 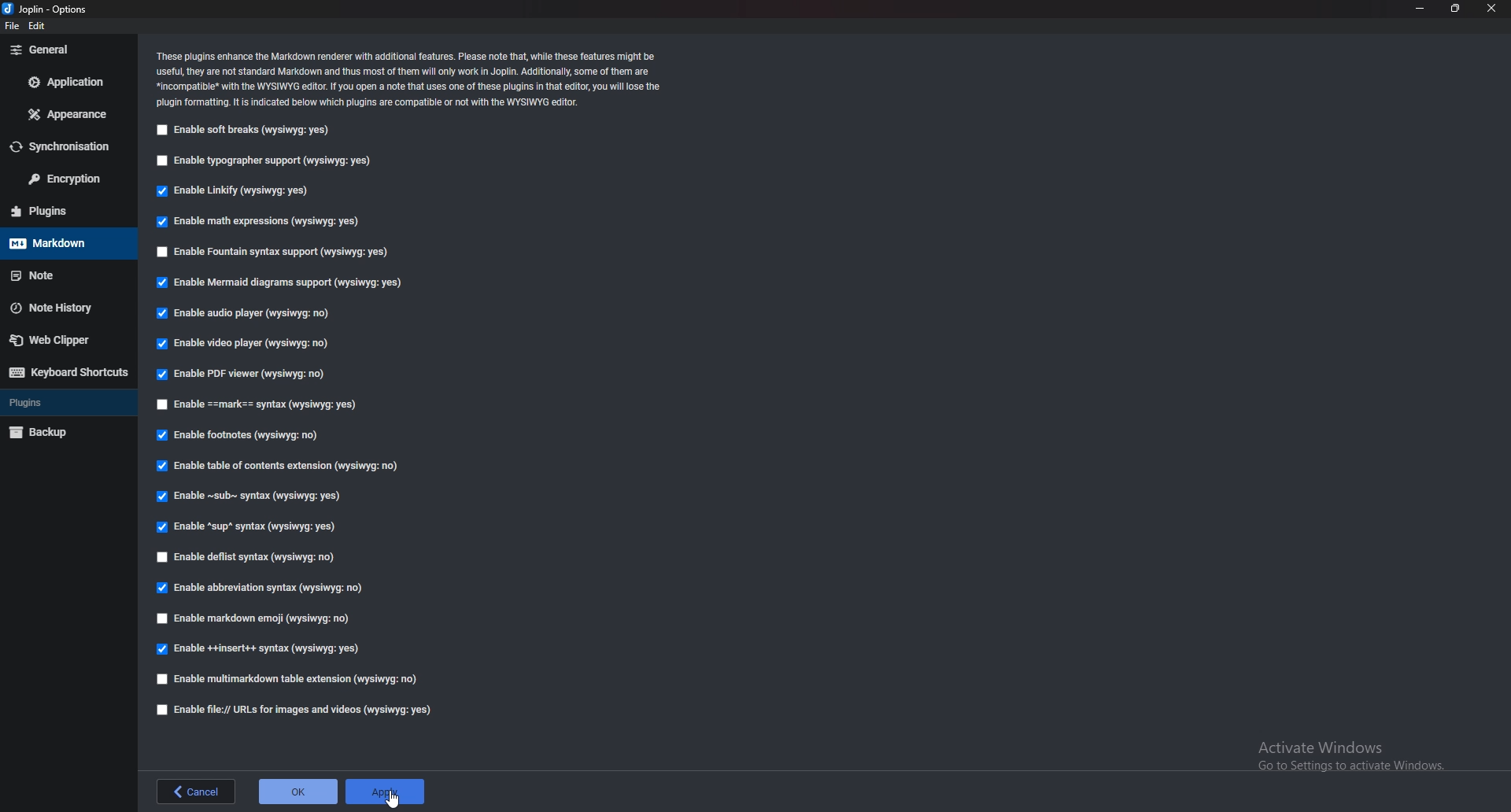 What do you see at coordinates (253, 526) in the screenshot?
I see `Enable sup syntax` at bounding box center [253, 526].